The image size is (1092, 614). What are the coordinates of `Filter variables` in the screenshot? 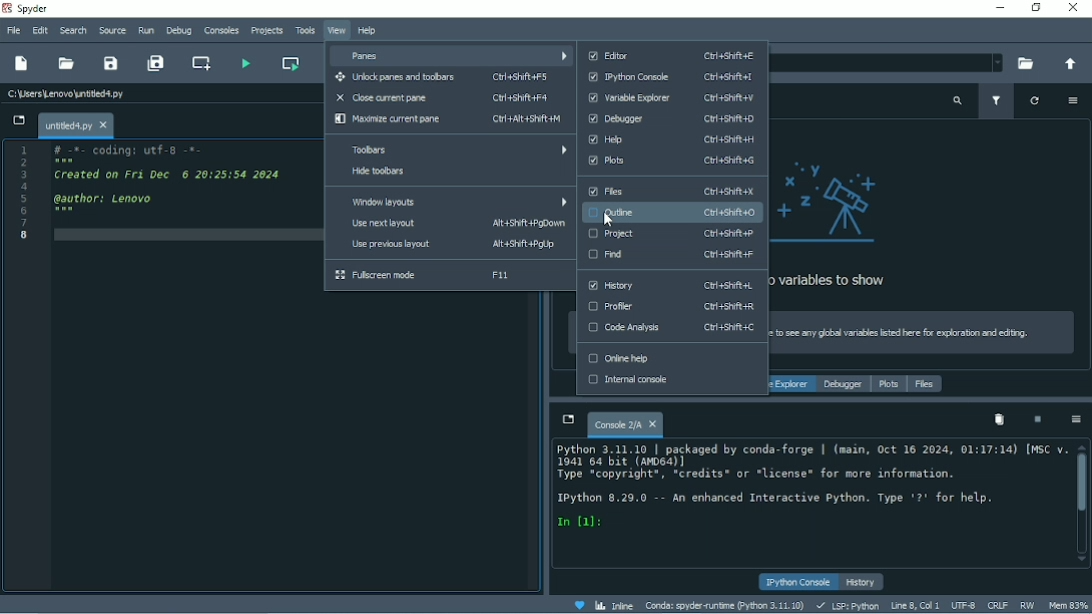 It's located at (996, 101).